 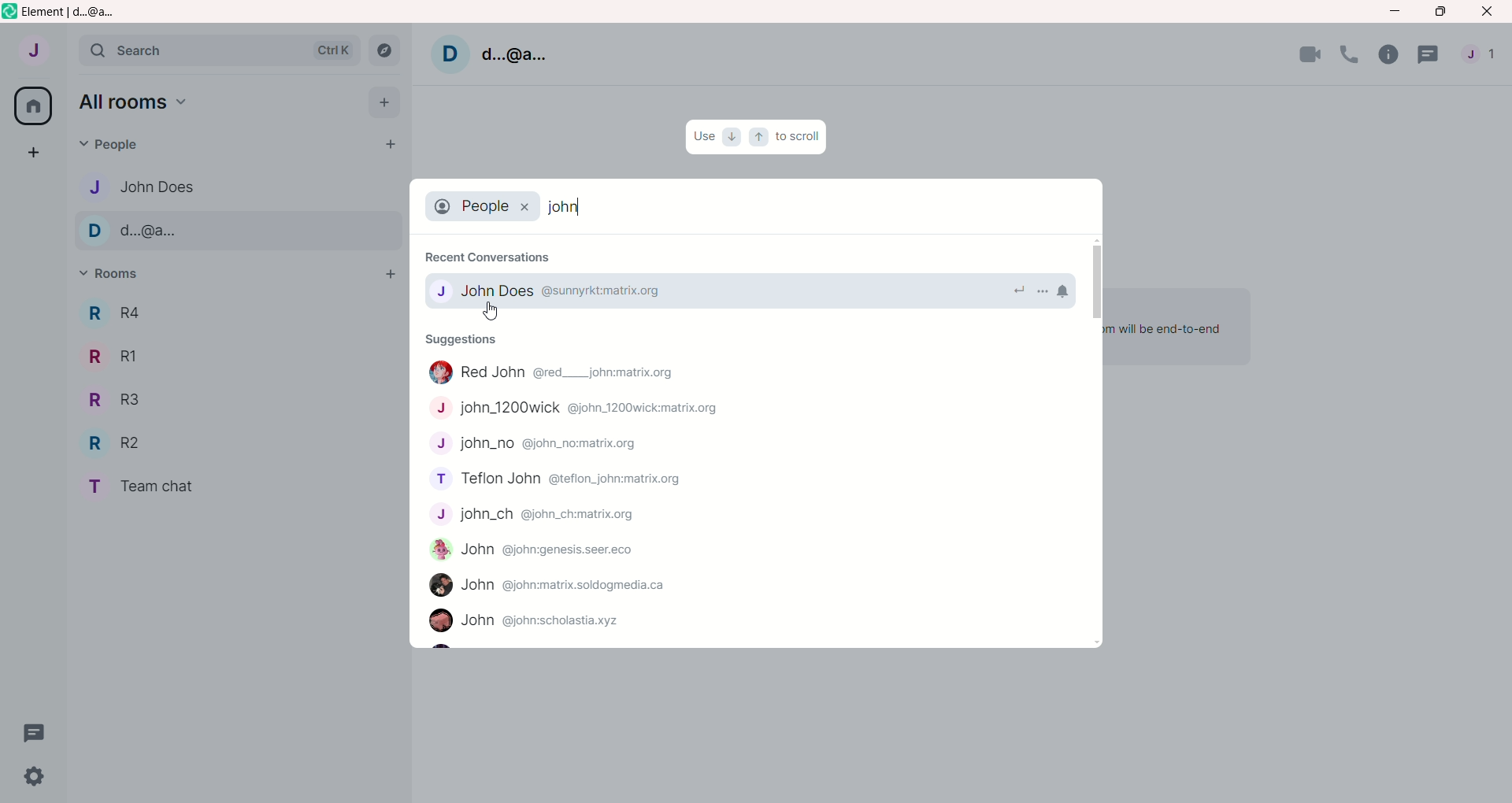 I want to click on people, so click(x=108, y=146).